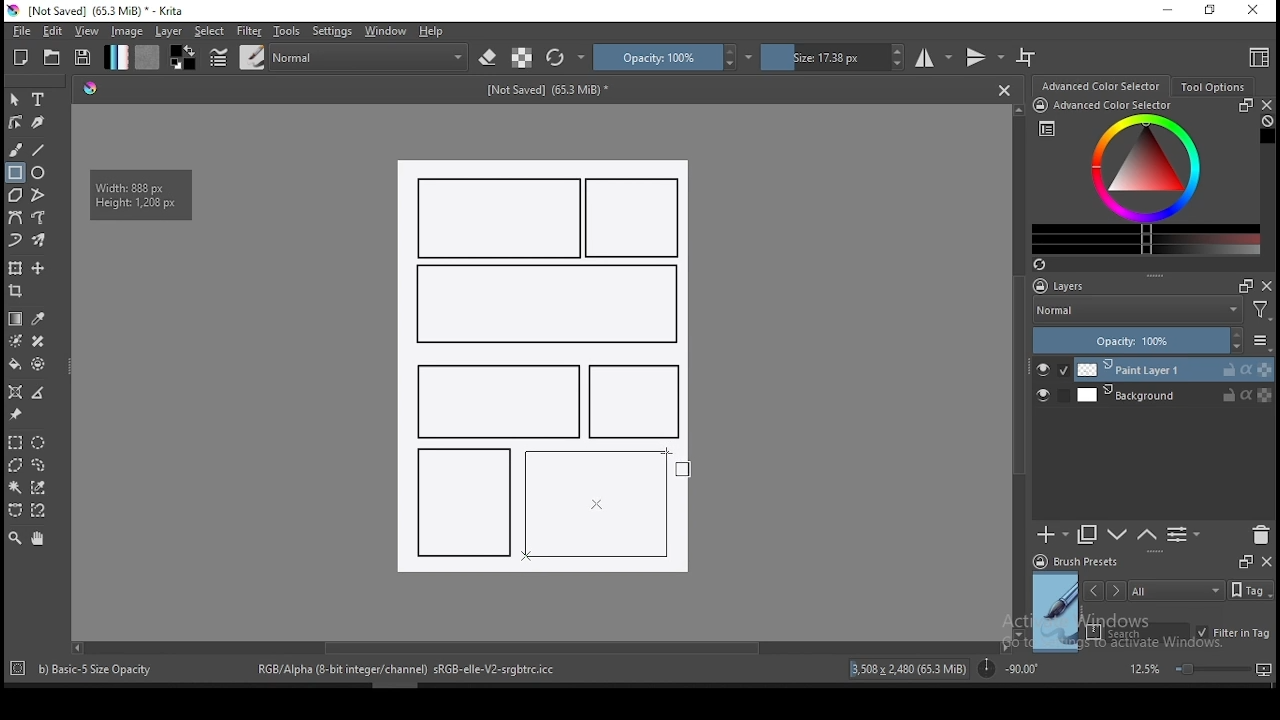 Image resolution: width=1280 pixels, height=720 pixels. I want to click on blending mode, so click(1136, 312).